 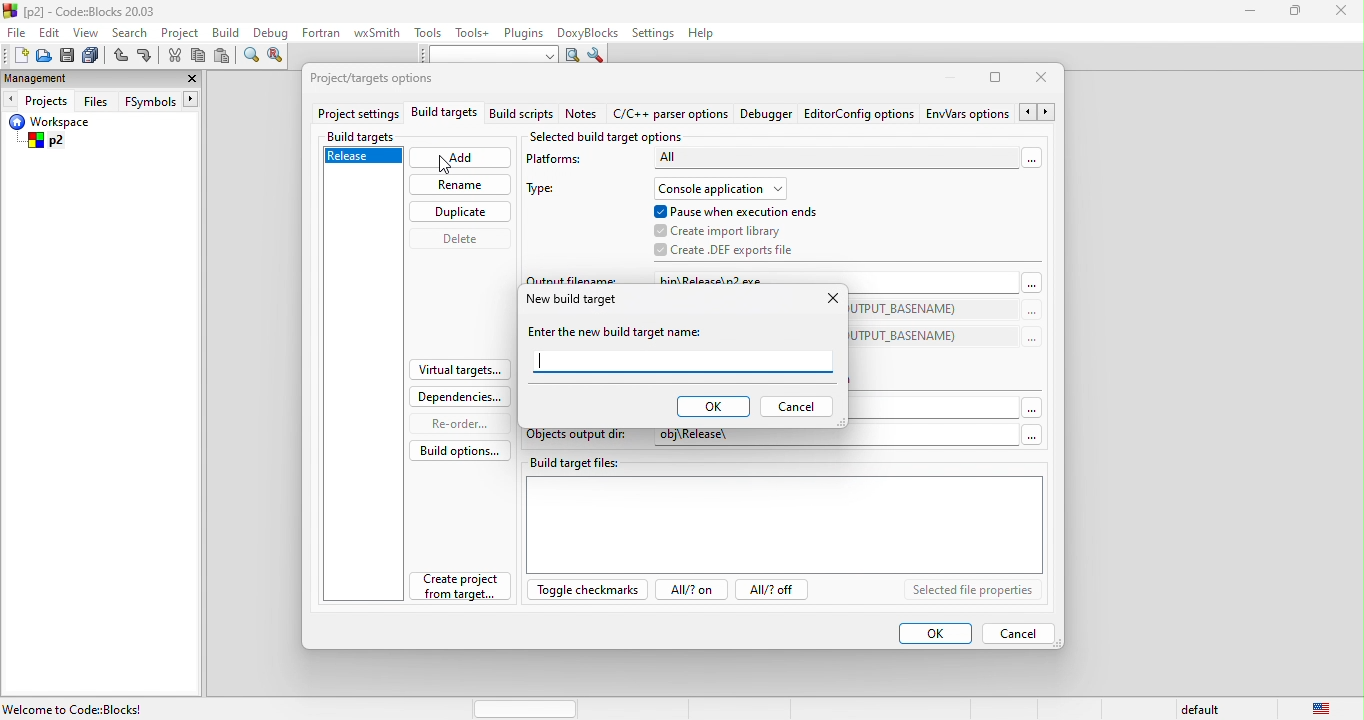 I want to click on build script notes, so click(x=521, y=115).